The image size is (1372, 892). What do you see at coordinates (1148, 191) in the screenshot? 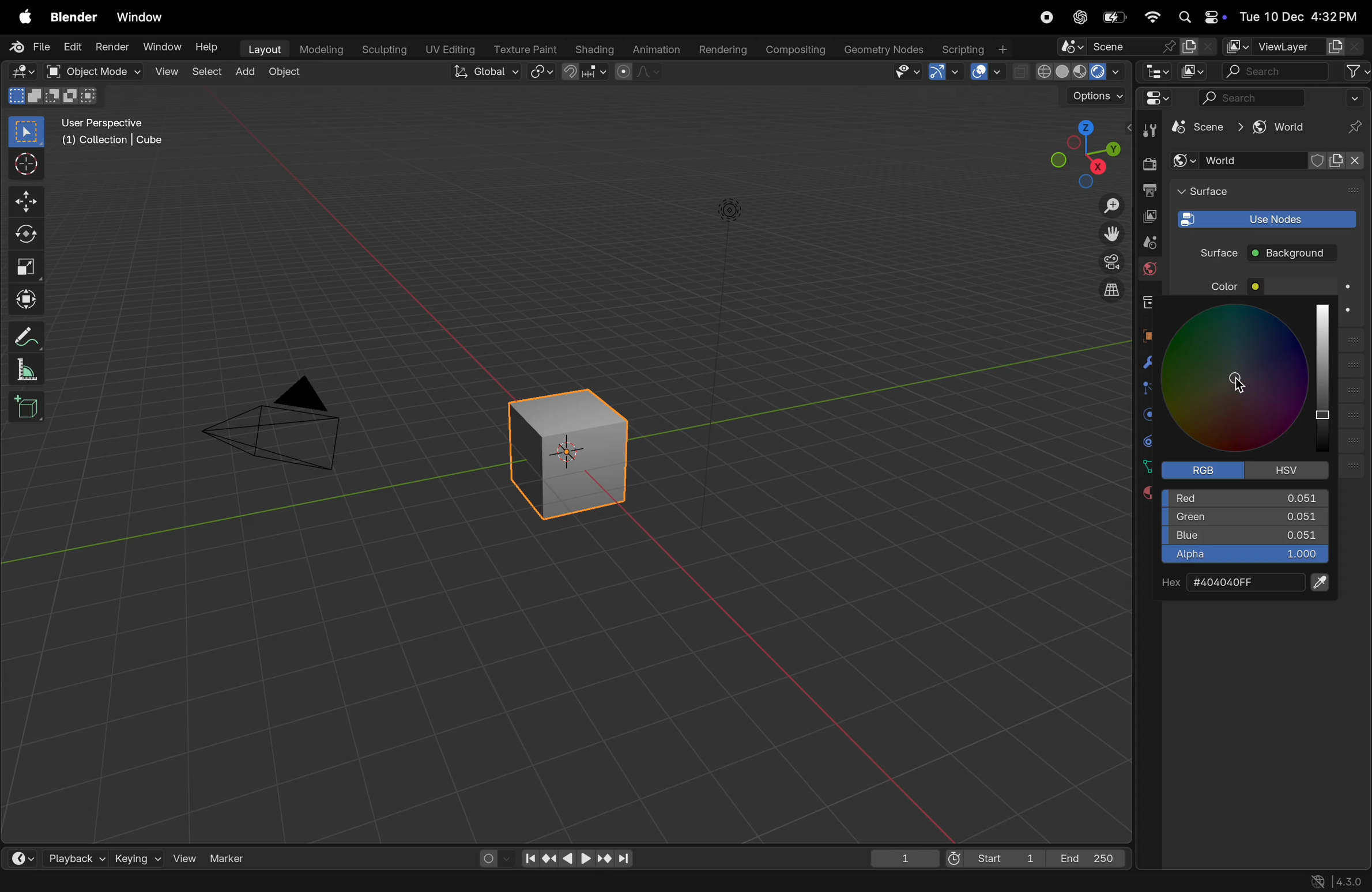
I see `` at bounding box center [1148, 191].